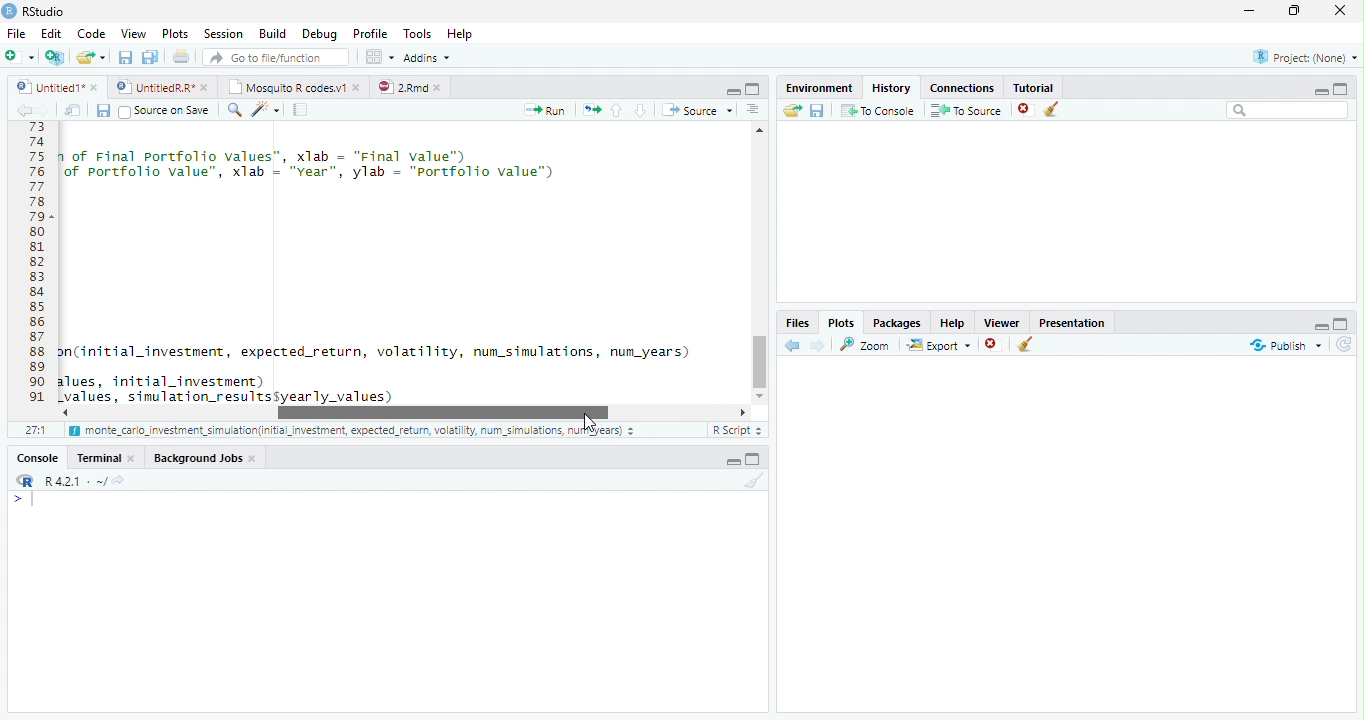 The height and width of the screenshot is (720, 1364). I want to click on Scroll down, so click(761, 393).